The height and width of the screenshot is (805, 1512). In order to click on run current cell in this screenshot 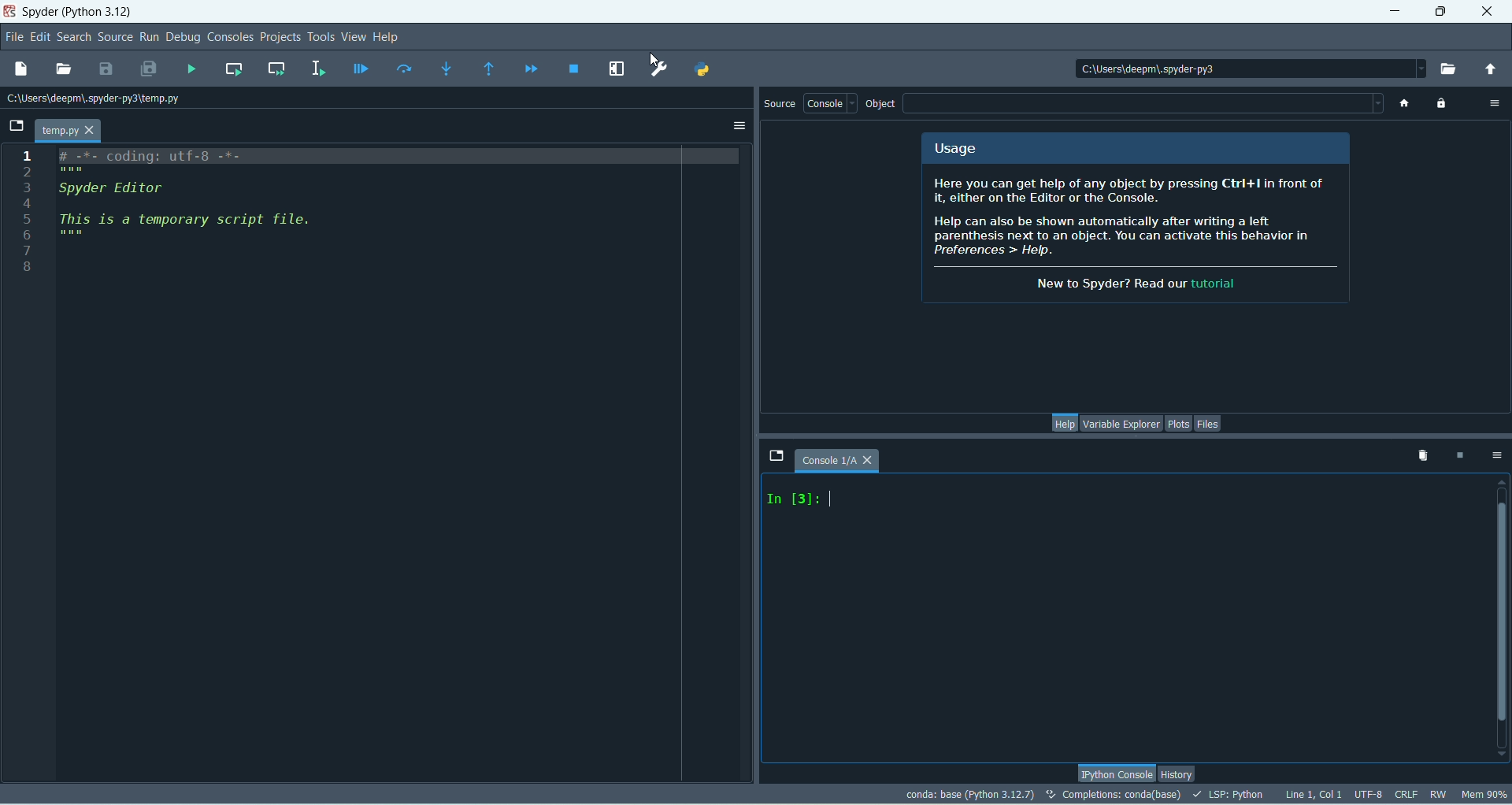, I will do `click(233, 70)`.